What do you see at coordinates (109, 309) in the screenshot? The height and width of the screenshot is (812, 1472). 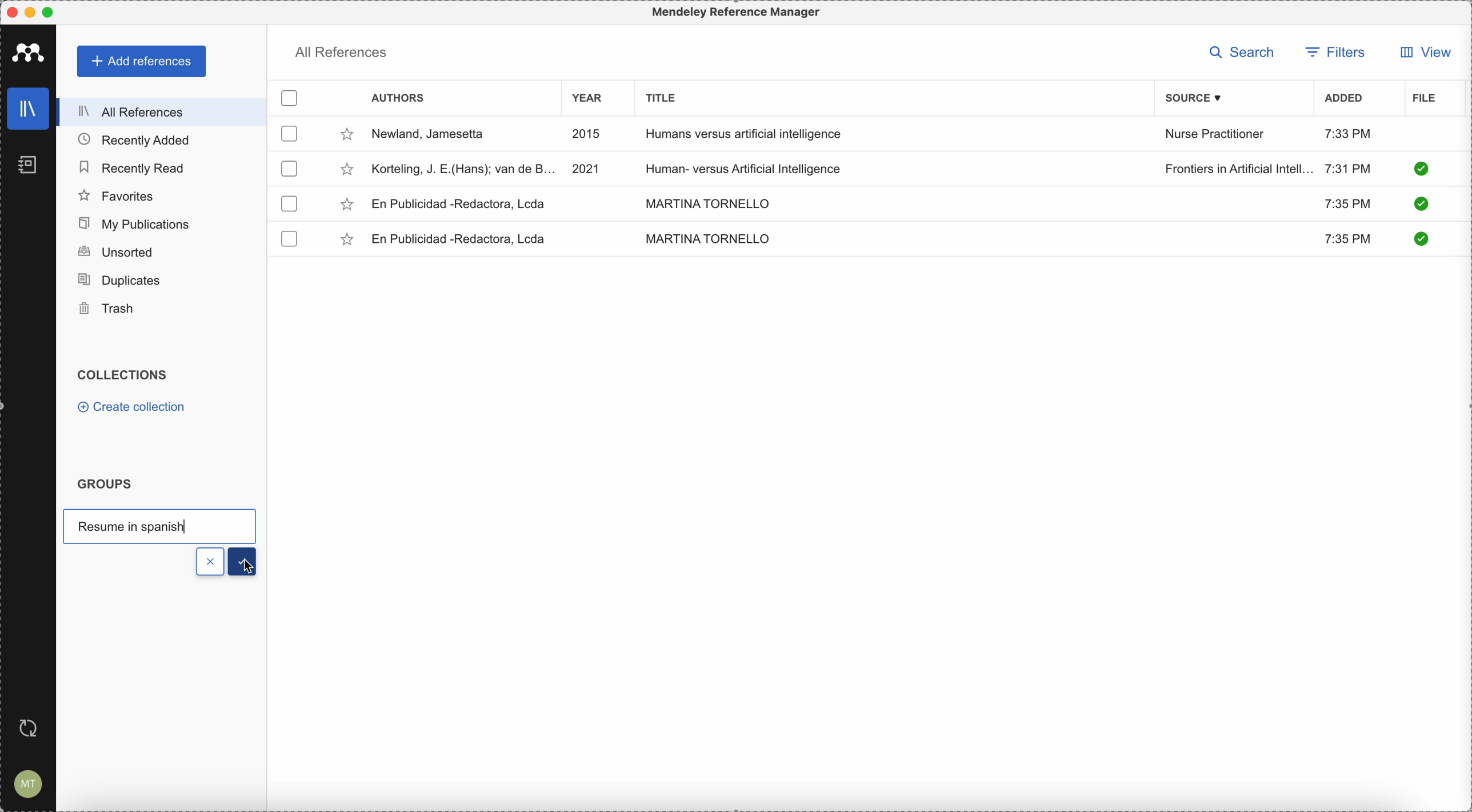 I see `trash` at bounding box center [109, 309].